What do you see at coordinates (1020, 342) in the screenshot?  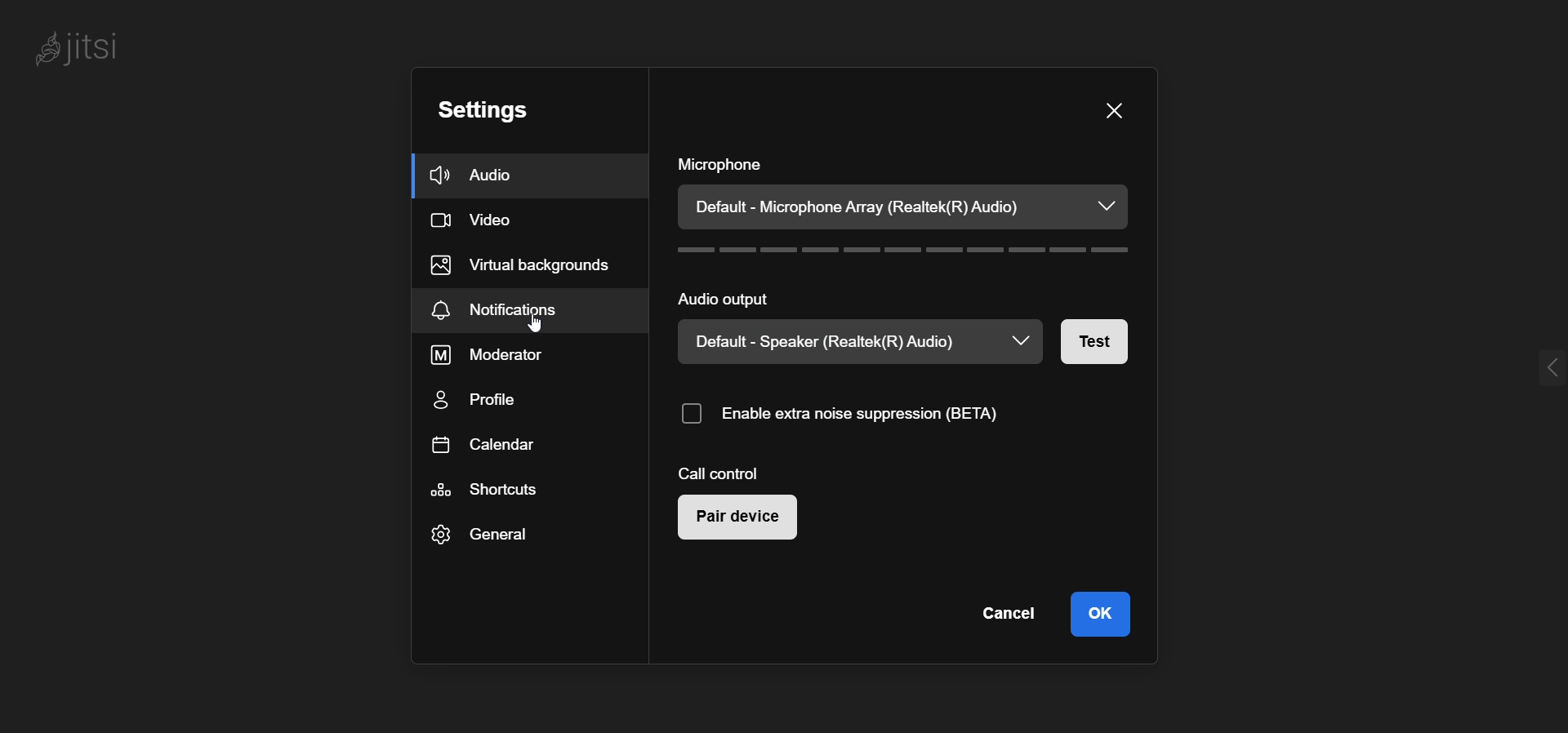 I see `dropdown` at bounding box center [1020, 342].